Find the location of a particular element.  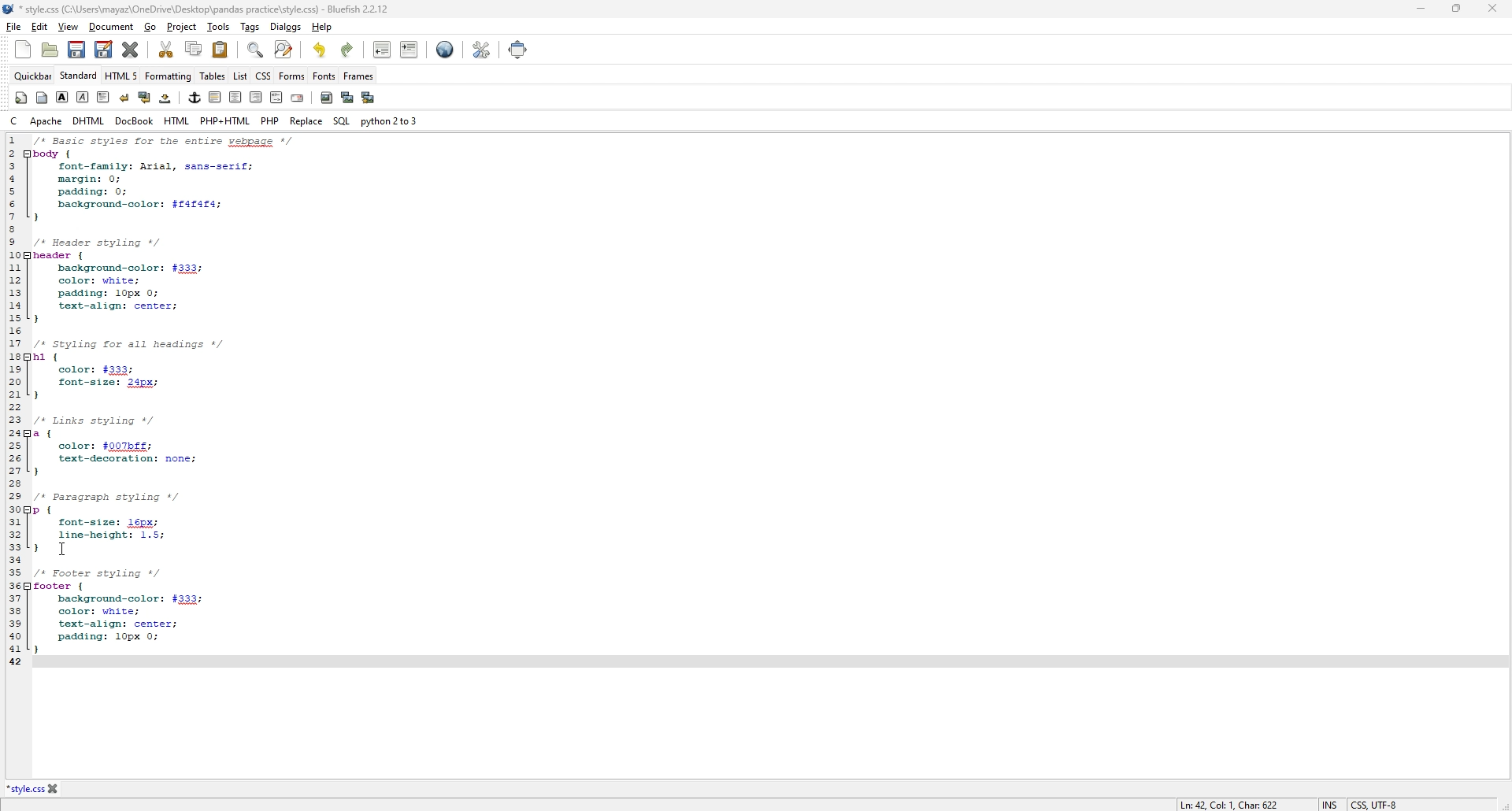

edit is located at coordinates (40, 25).